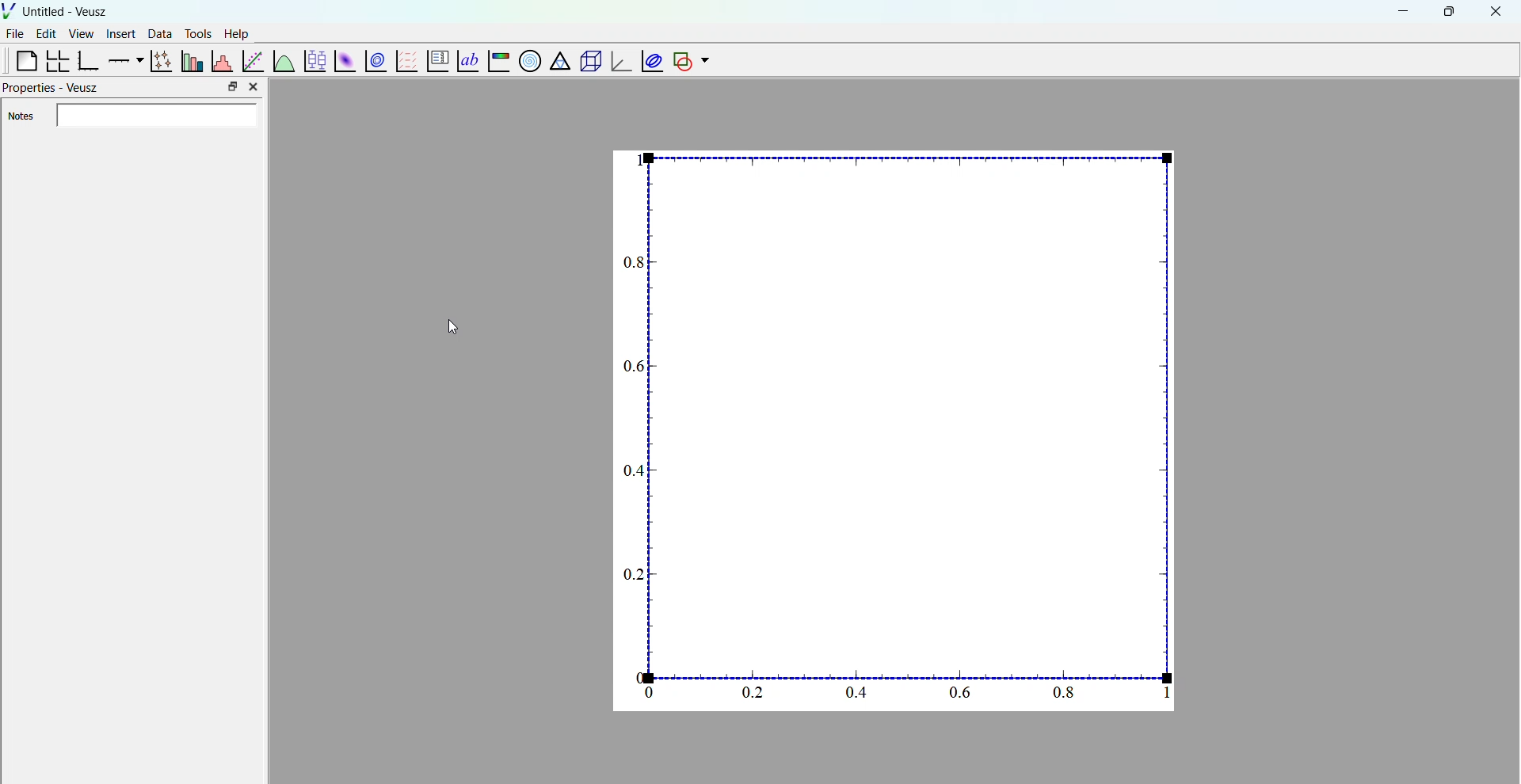 The height and width of the screenshot is (784, 1521). I want to click on view, so click(81, 36).